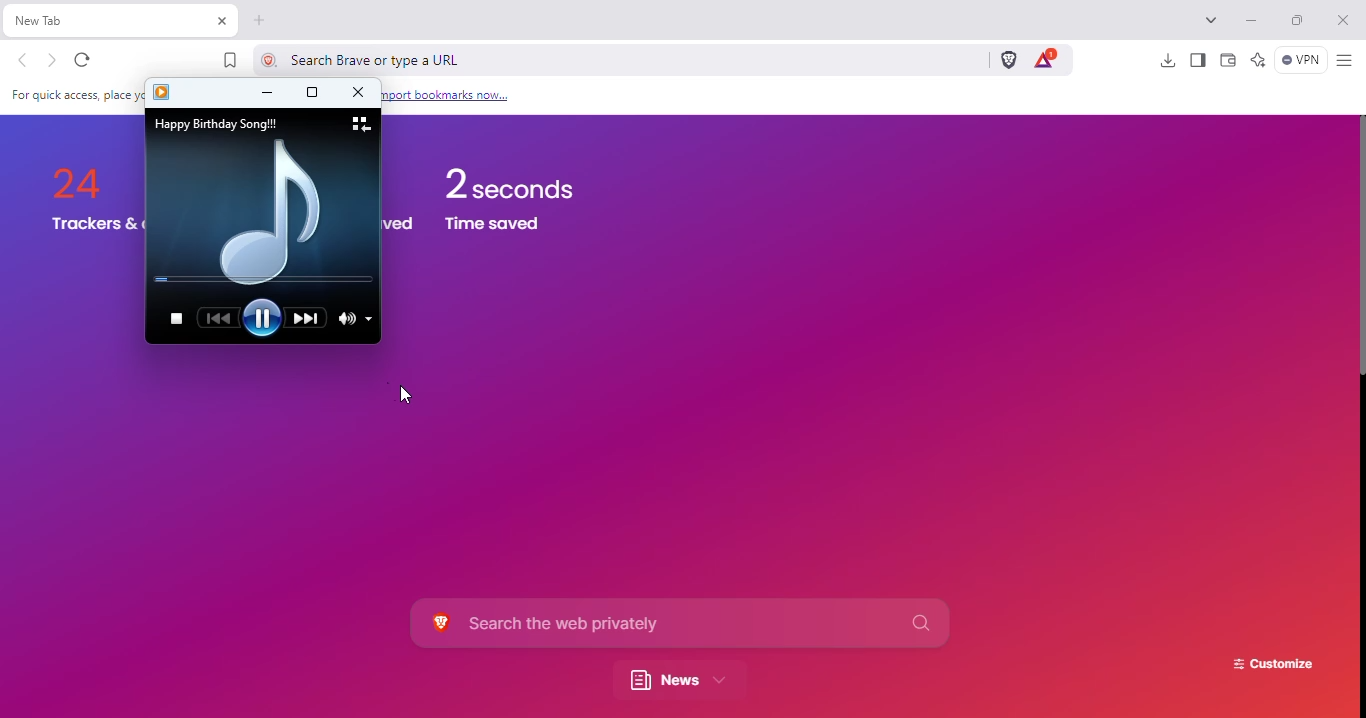 This screenshot has height=718, width=1366. Describe the element at coordinates (348, 318) in the screenshot. I see `mute` at that location.